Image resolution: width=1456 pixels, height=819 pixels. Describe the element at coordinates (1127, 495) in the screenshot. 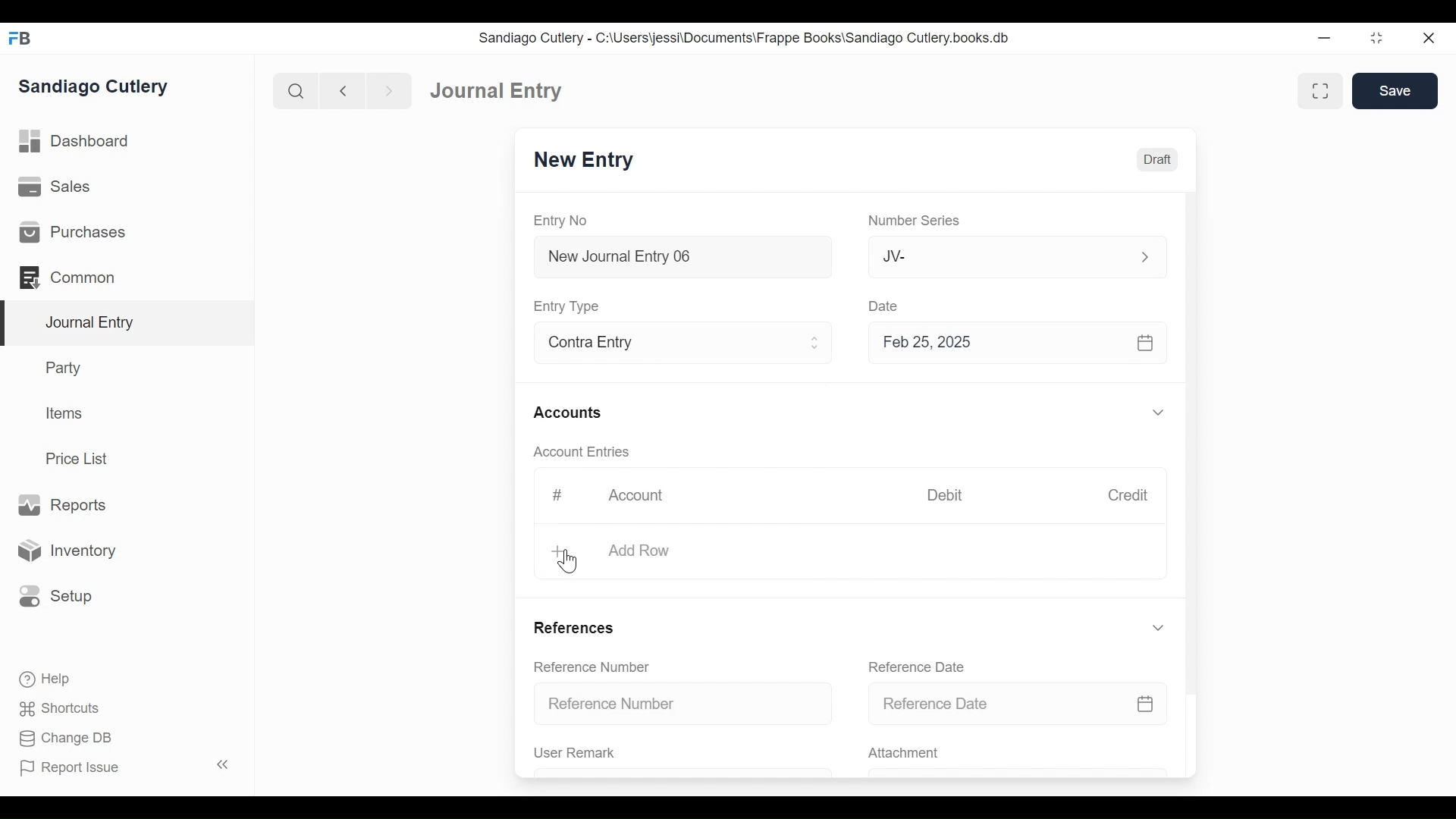

I see `Credit` at that location.